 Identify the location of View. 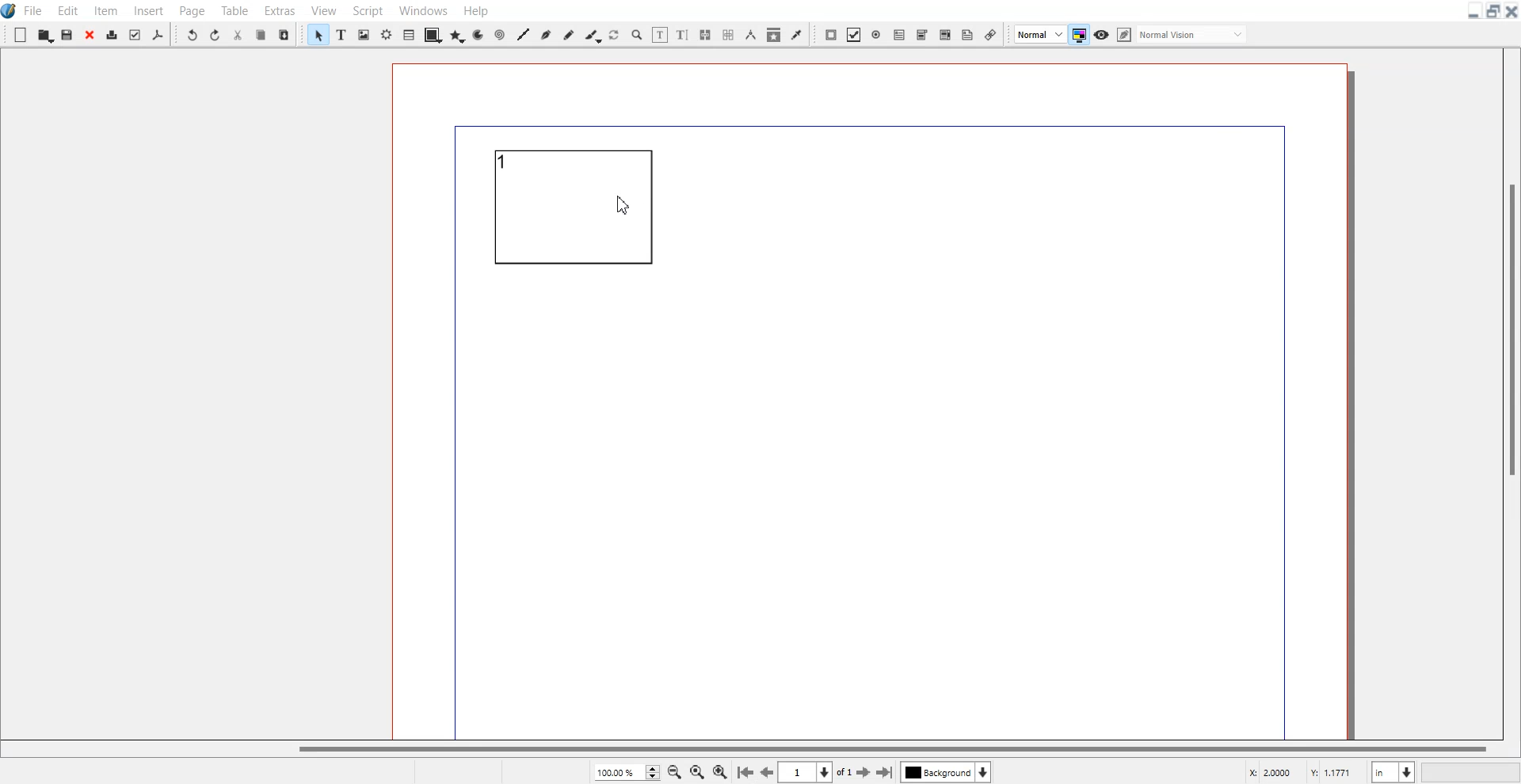
(323, 10).